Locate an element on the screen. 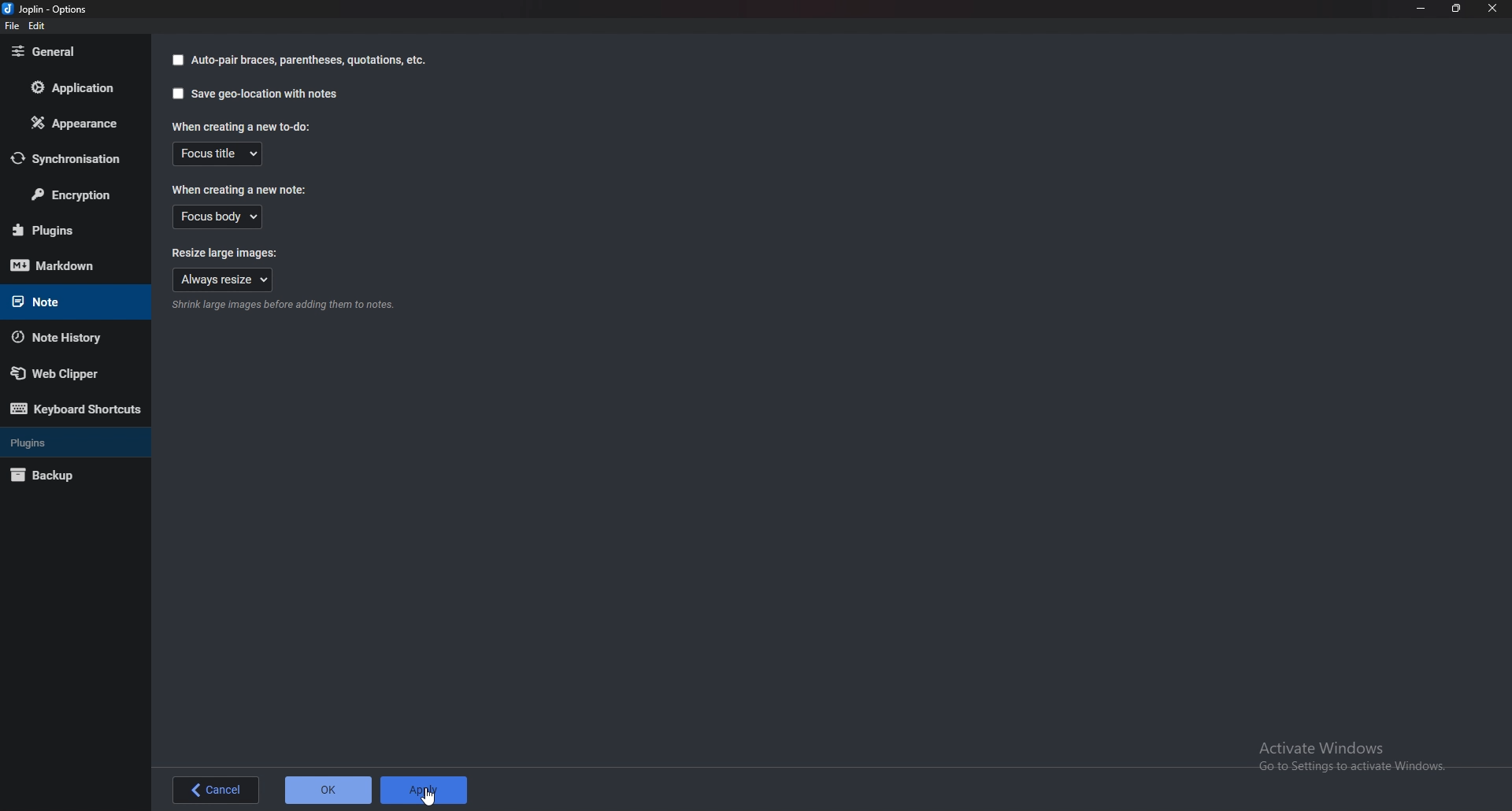 The height and width of the screenshot is (811, 1512). Application is located at coordinates (71, 87).